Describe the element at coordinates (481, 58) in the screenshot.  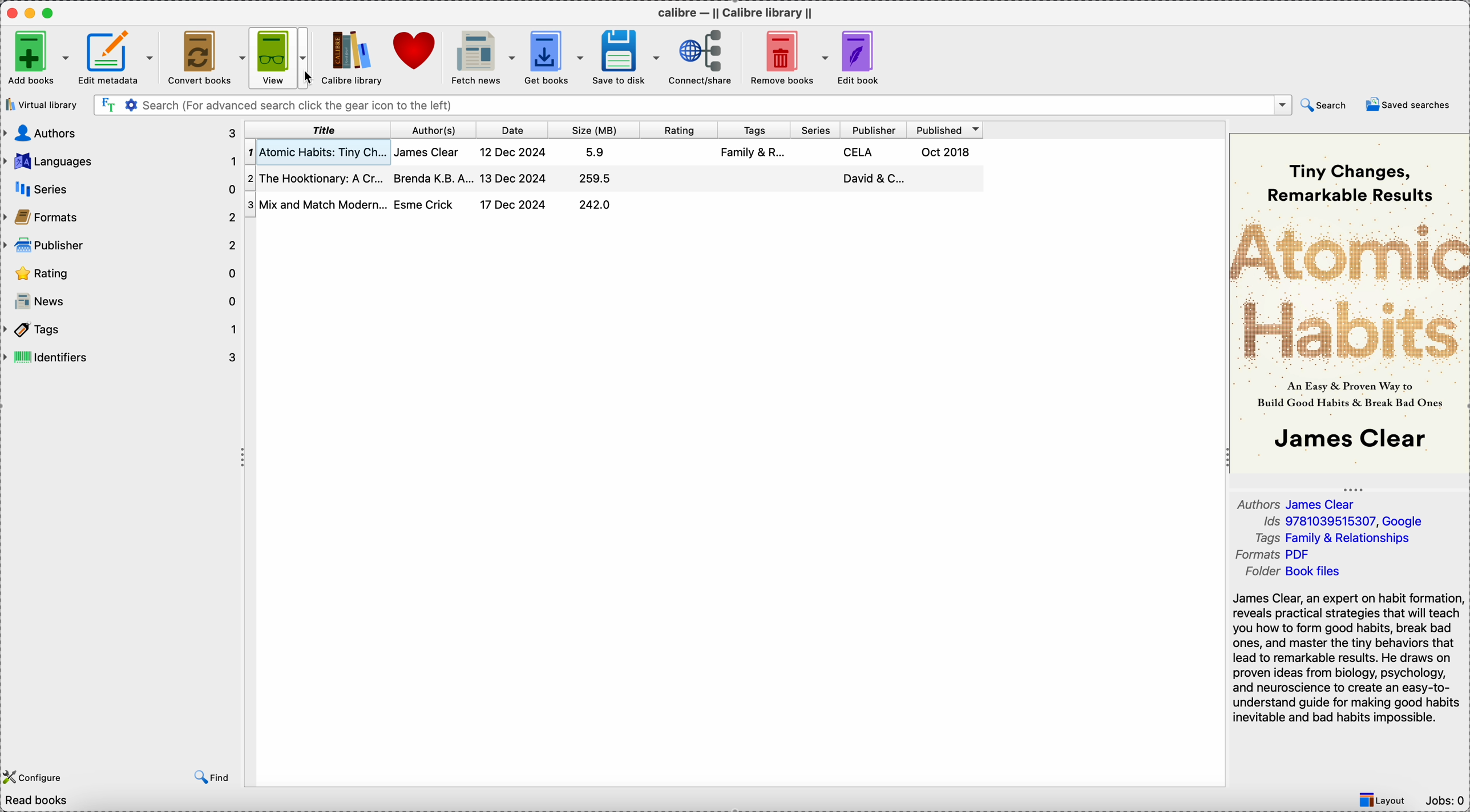
I see `fetch news` at that location.